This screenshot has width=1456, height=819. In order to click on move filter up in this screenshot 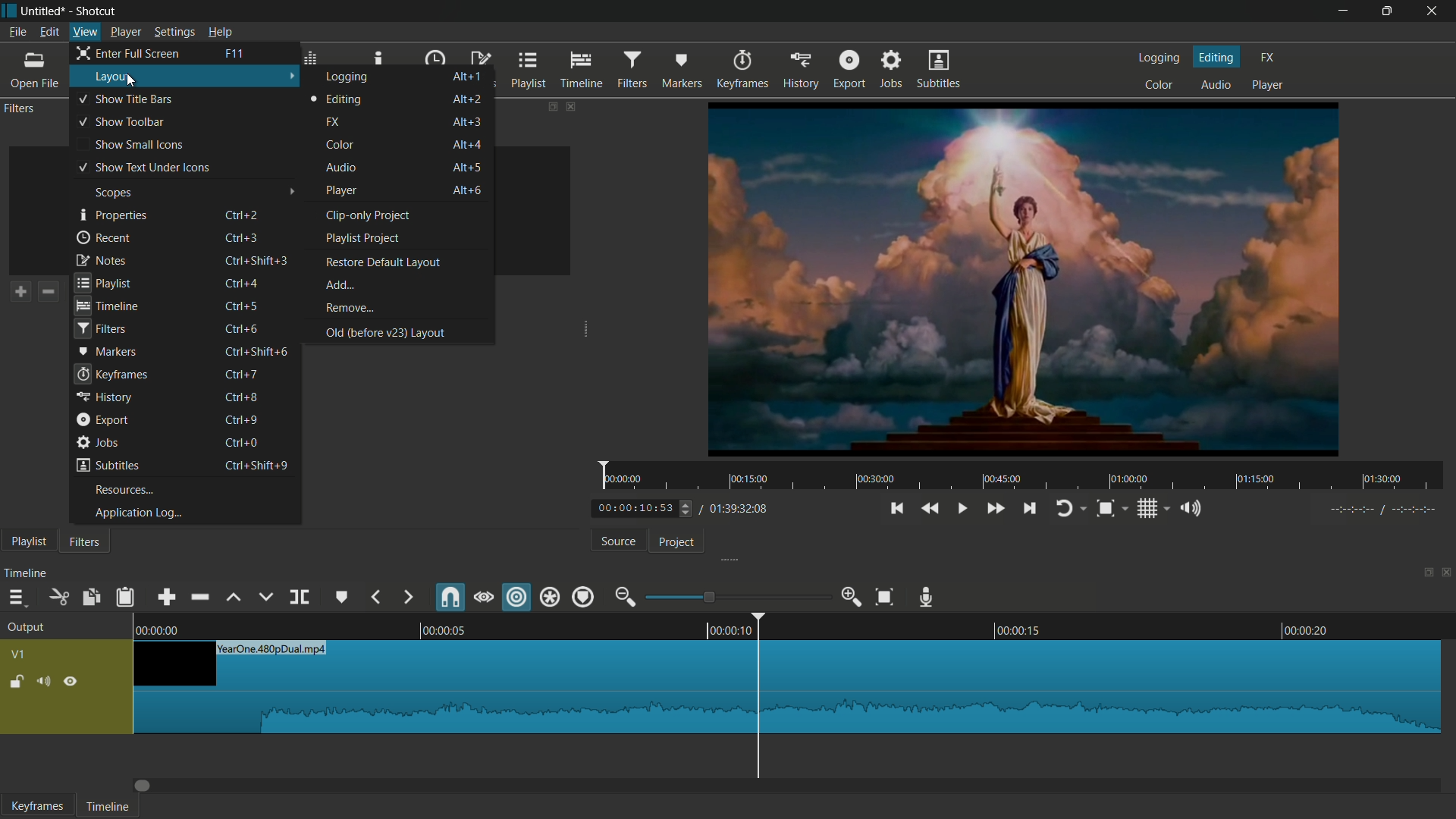, I will do `click(169, 293)`.